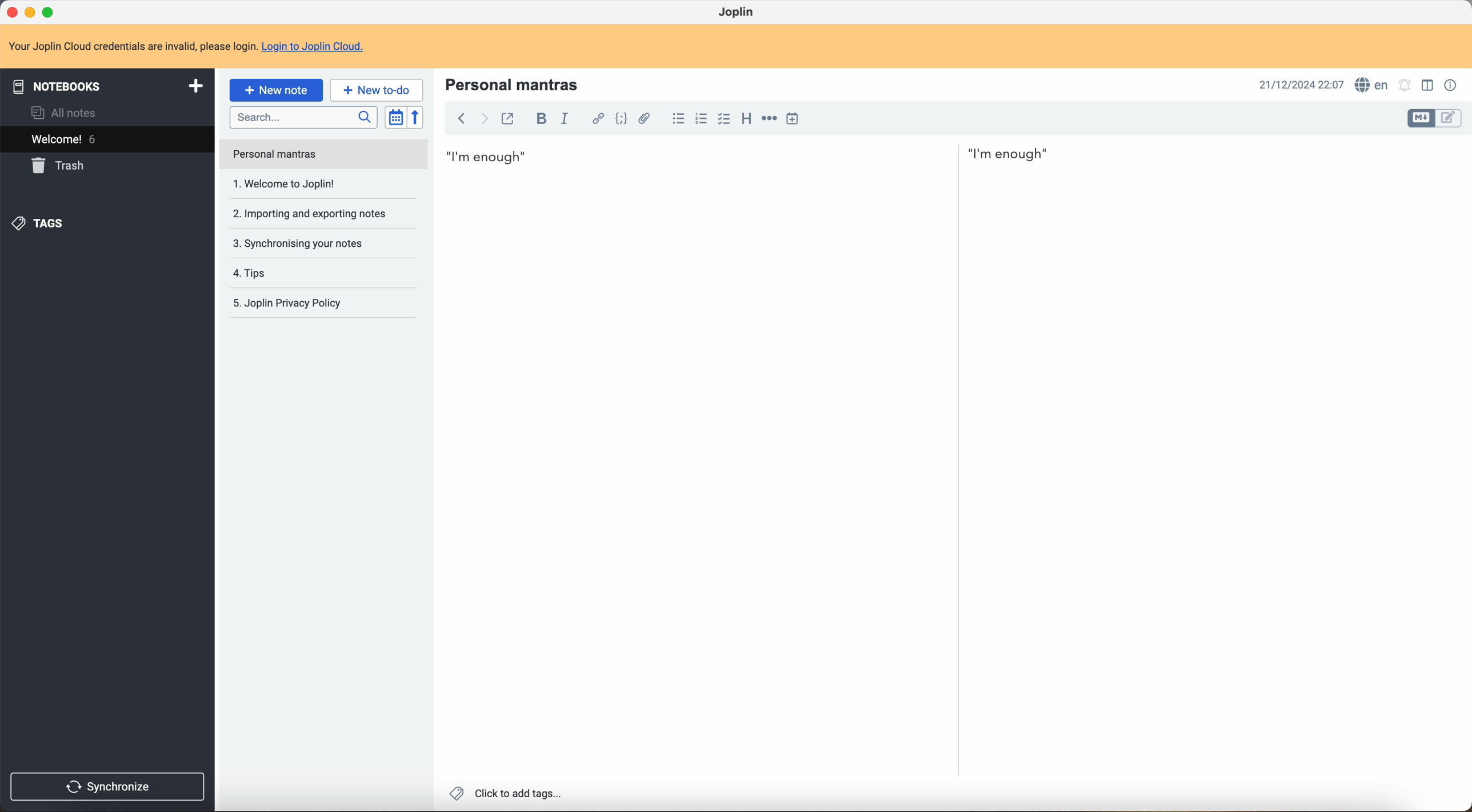  Describe the element at coordinates (1406, 85) in the screenshot. I see `set alarm` at that location.